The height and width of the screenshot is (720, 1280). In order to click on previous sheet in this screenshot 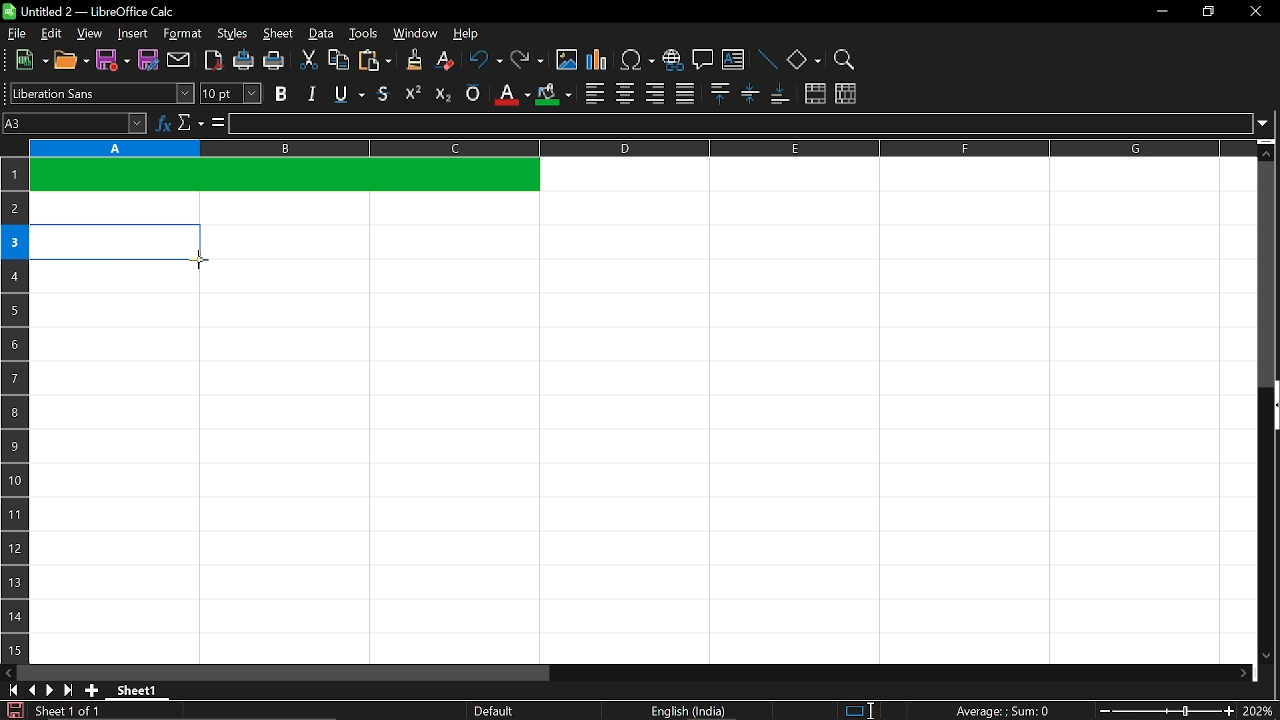, I will do `click(30, 690)`.